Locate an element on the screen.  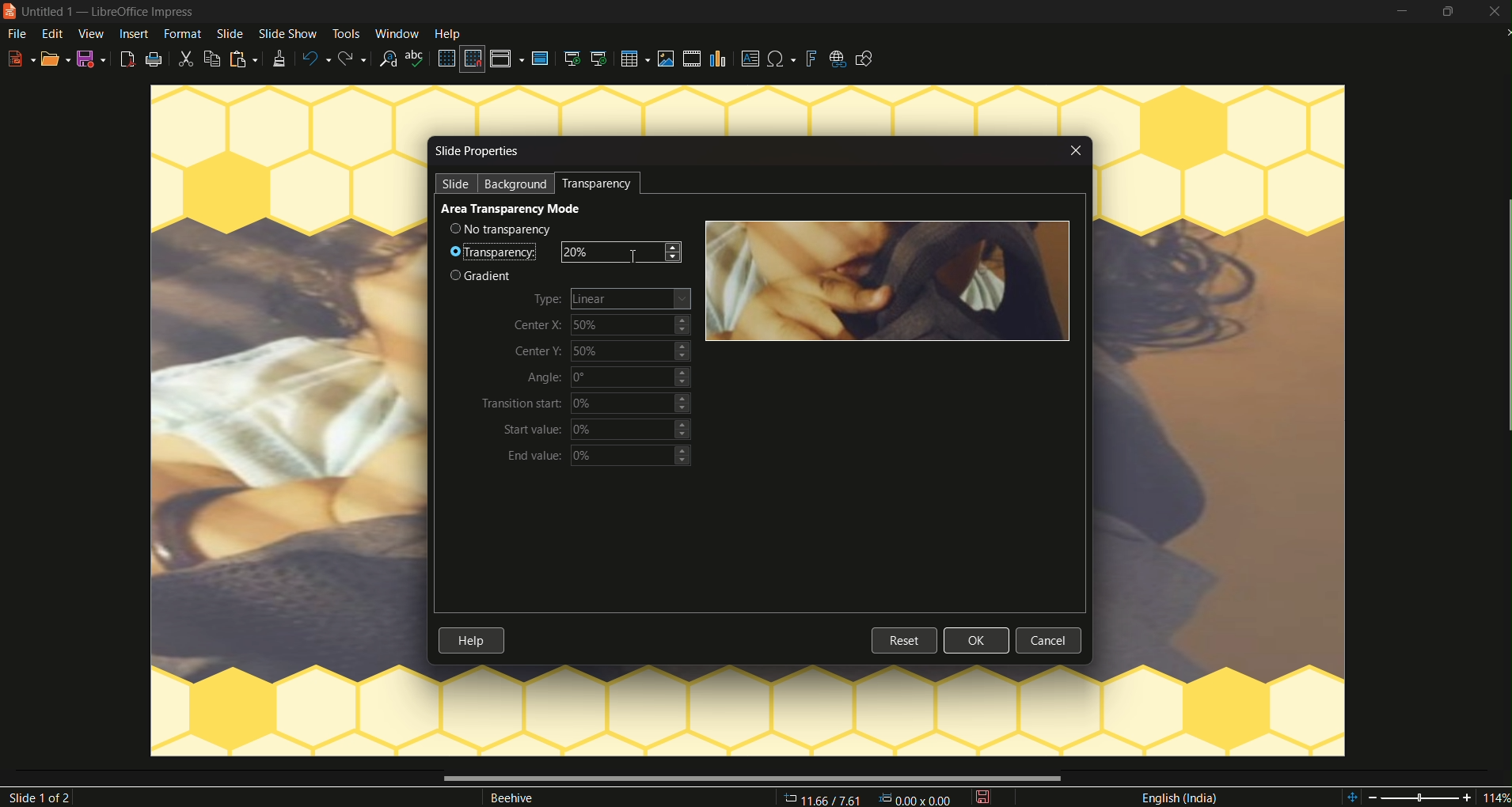
scrollbar is located at coordinates (749, 779).